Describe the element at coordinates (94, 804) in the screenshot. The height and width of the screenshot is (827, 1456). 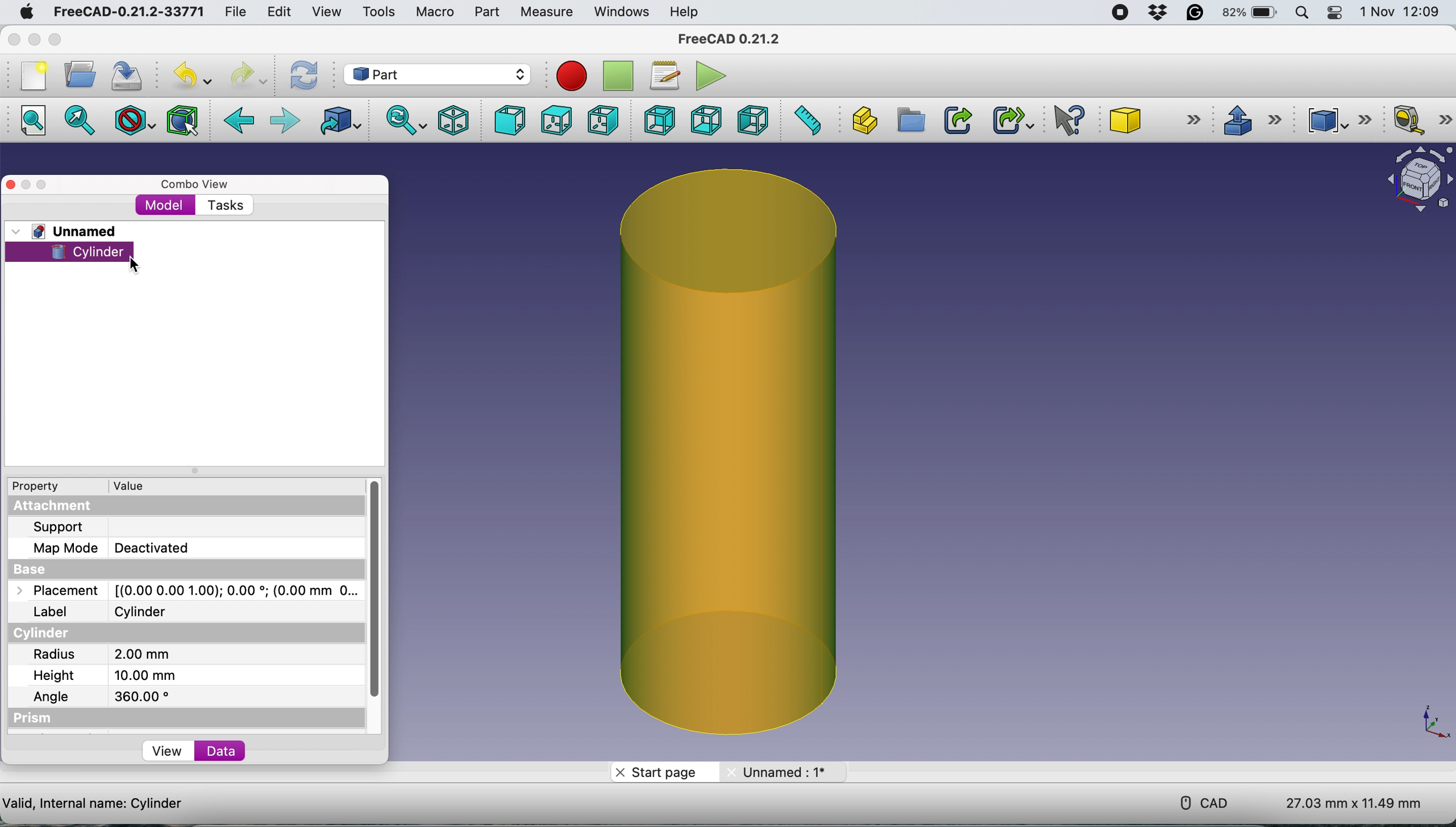
I see `cylinder details` at that location.